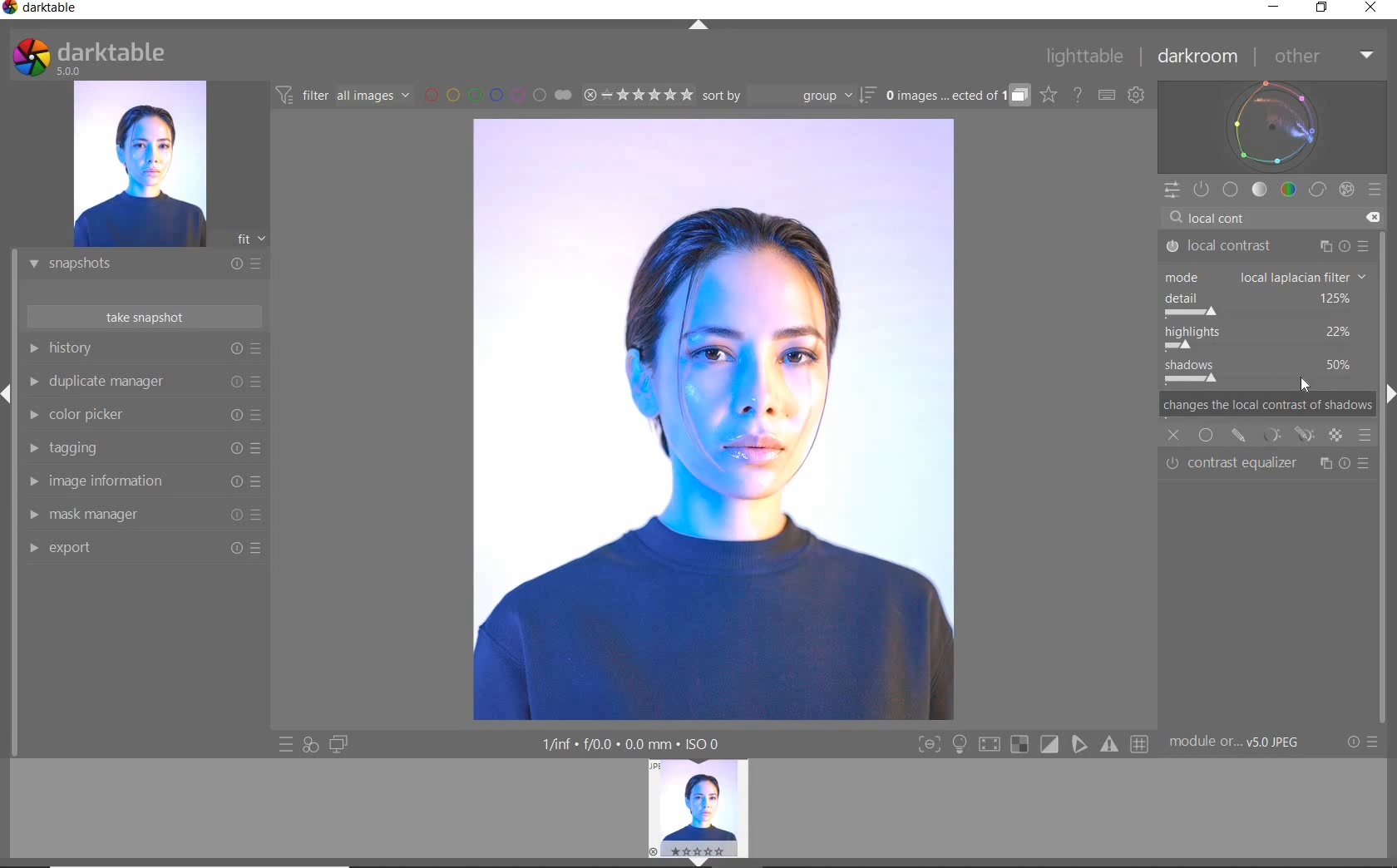 Image resolution: width=1397 pixels, height=868 pixels. What do you see at coordinates (43, 11) in the screenshot?
I see `SYSTEM NAME` at bounding box center [43, 11].